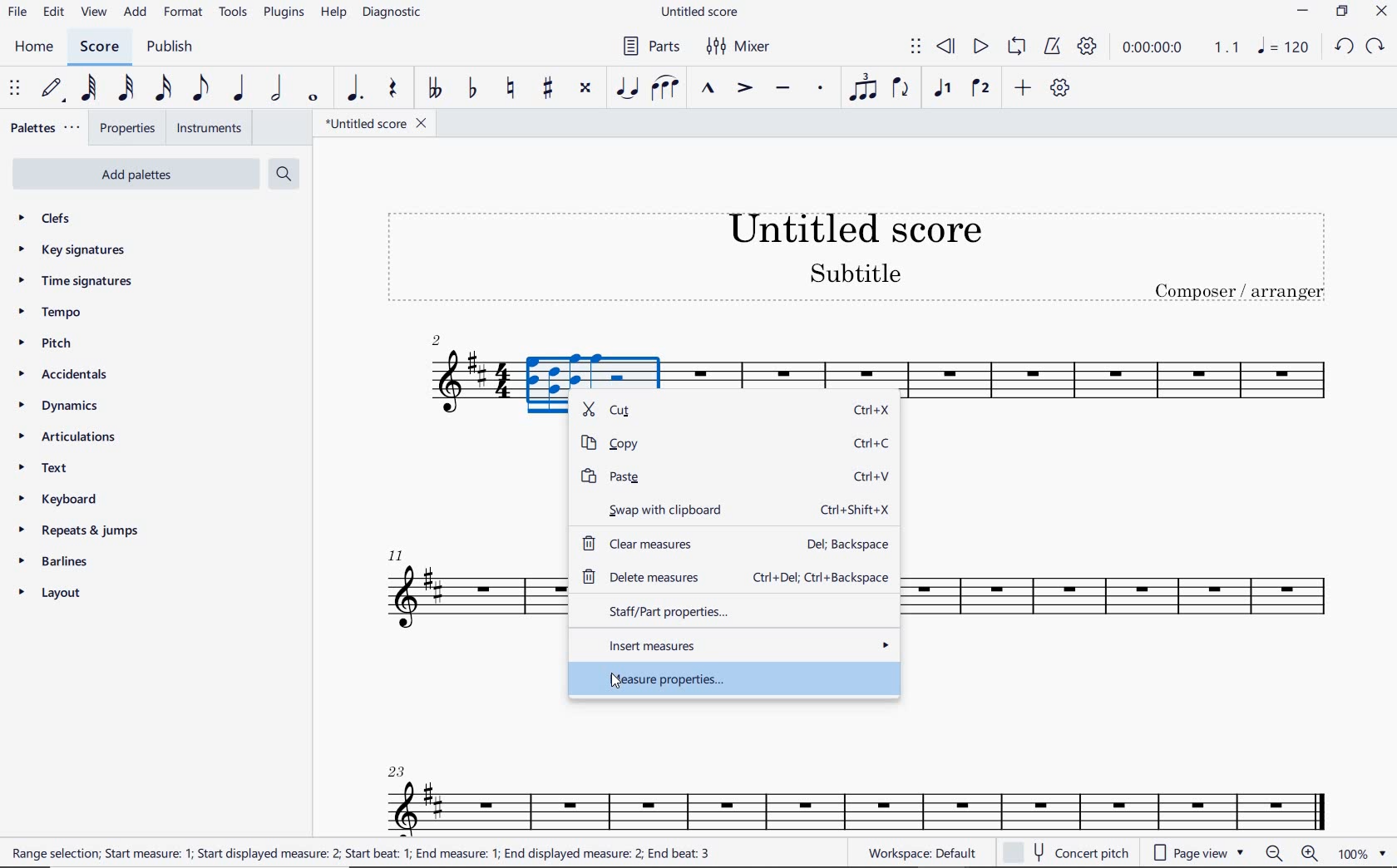  What do you see at coordinates (1069, 852) in the screenshot?
I see `concert pitch` at bounding box center [1069, 852].